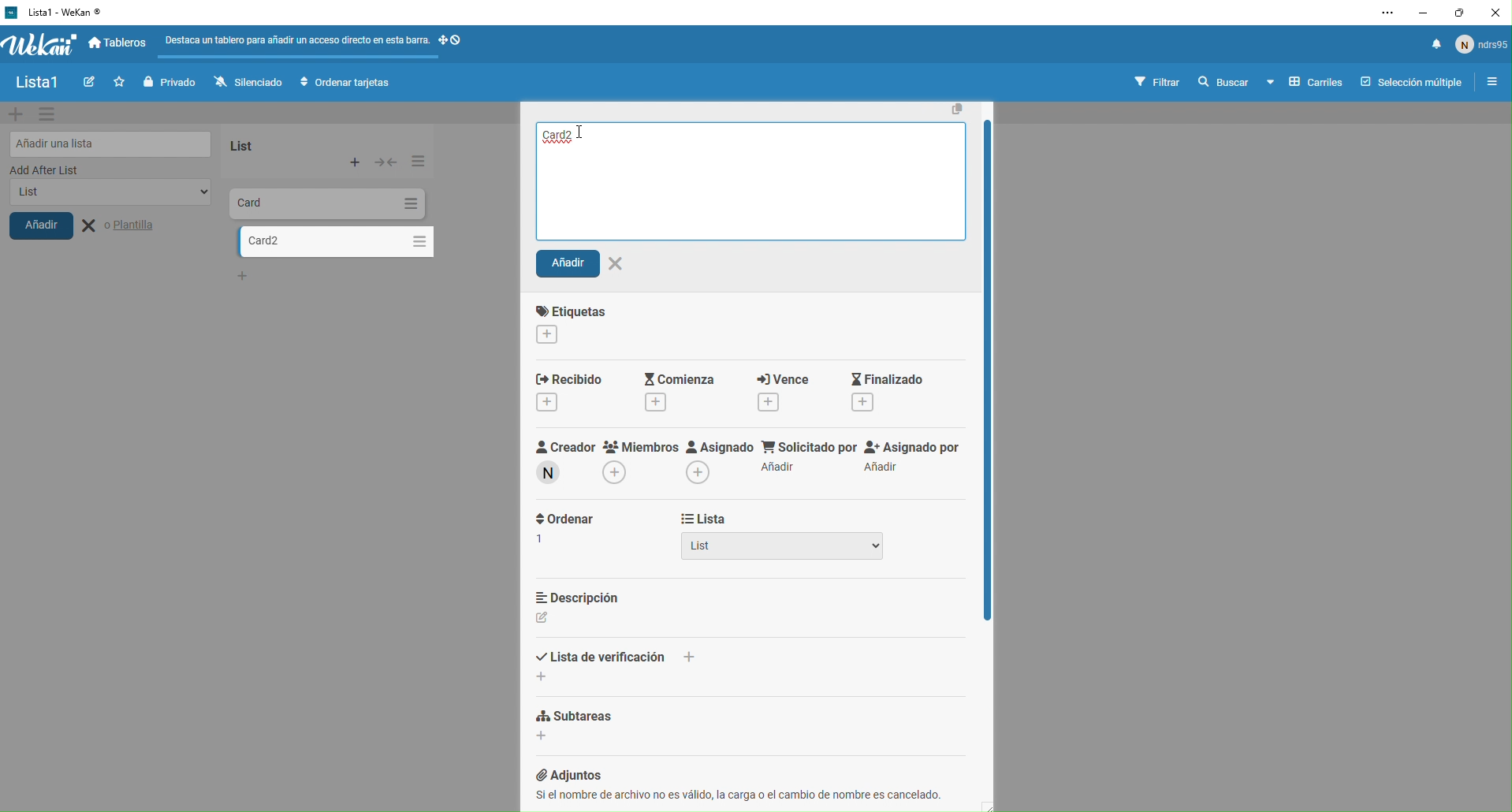 Image resolution: width=1512 pixels, height=812 pixels. What do you see at coordinates (36, 84) in the screenshot?
I see `lista1` at bounding box center [36, 84].